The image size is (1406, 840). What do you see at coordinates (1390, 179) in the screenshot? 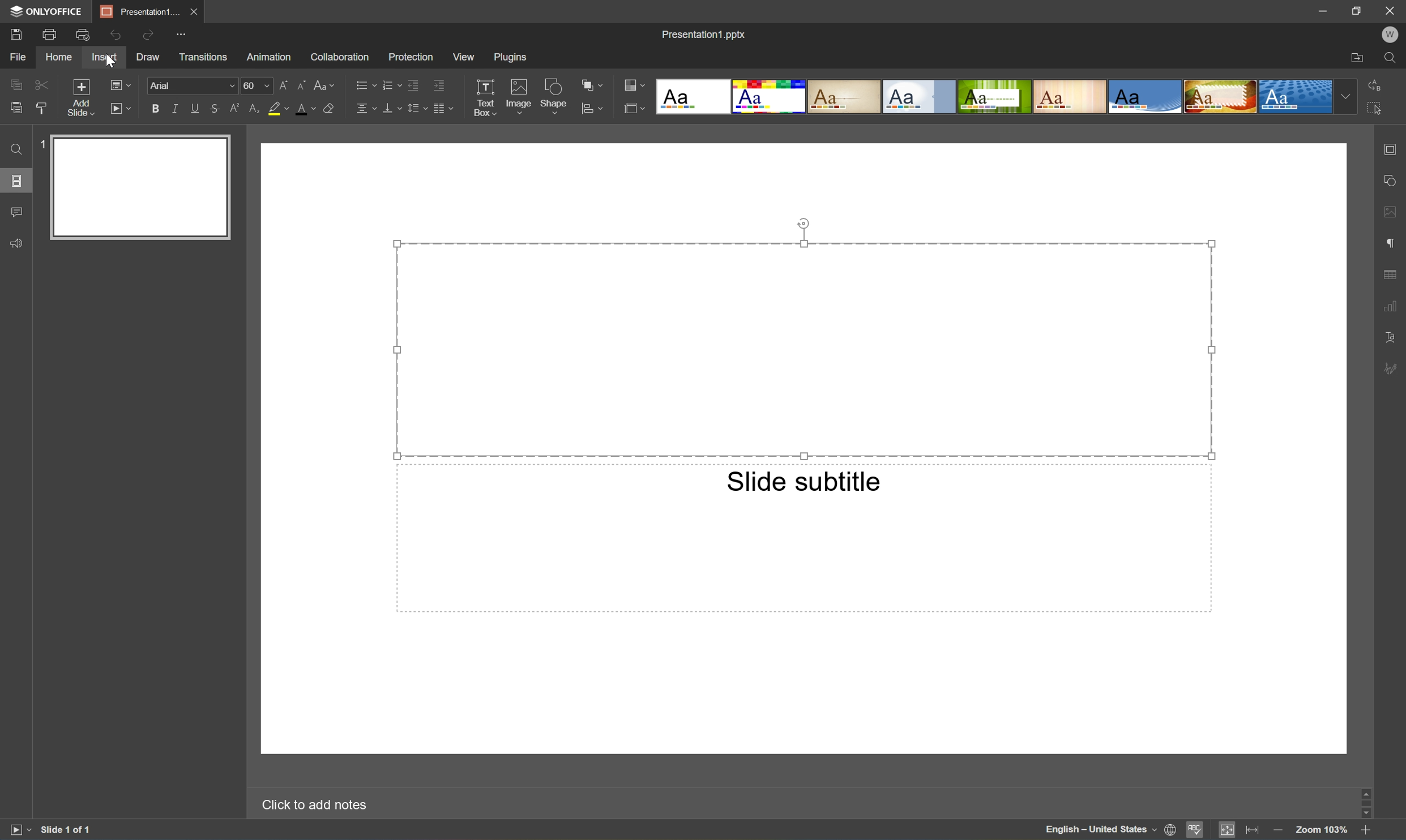
I see `Shape settings` at bounding box center [1390, 179].